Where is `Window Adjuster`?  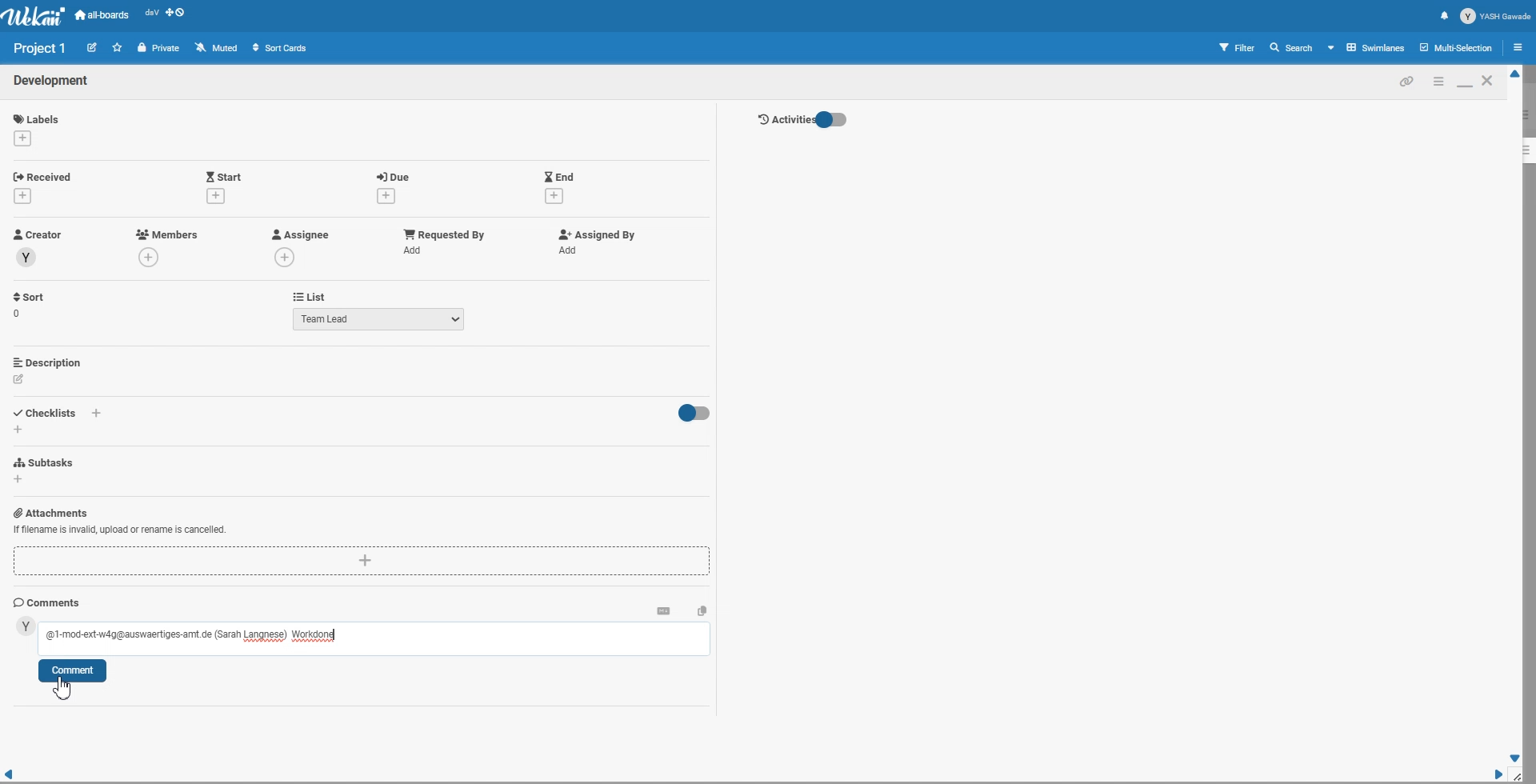
Window Adjuster is located at coordinates (1521, 776).